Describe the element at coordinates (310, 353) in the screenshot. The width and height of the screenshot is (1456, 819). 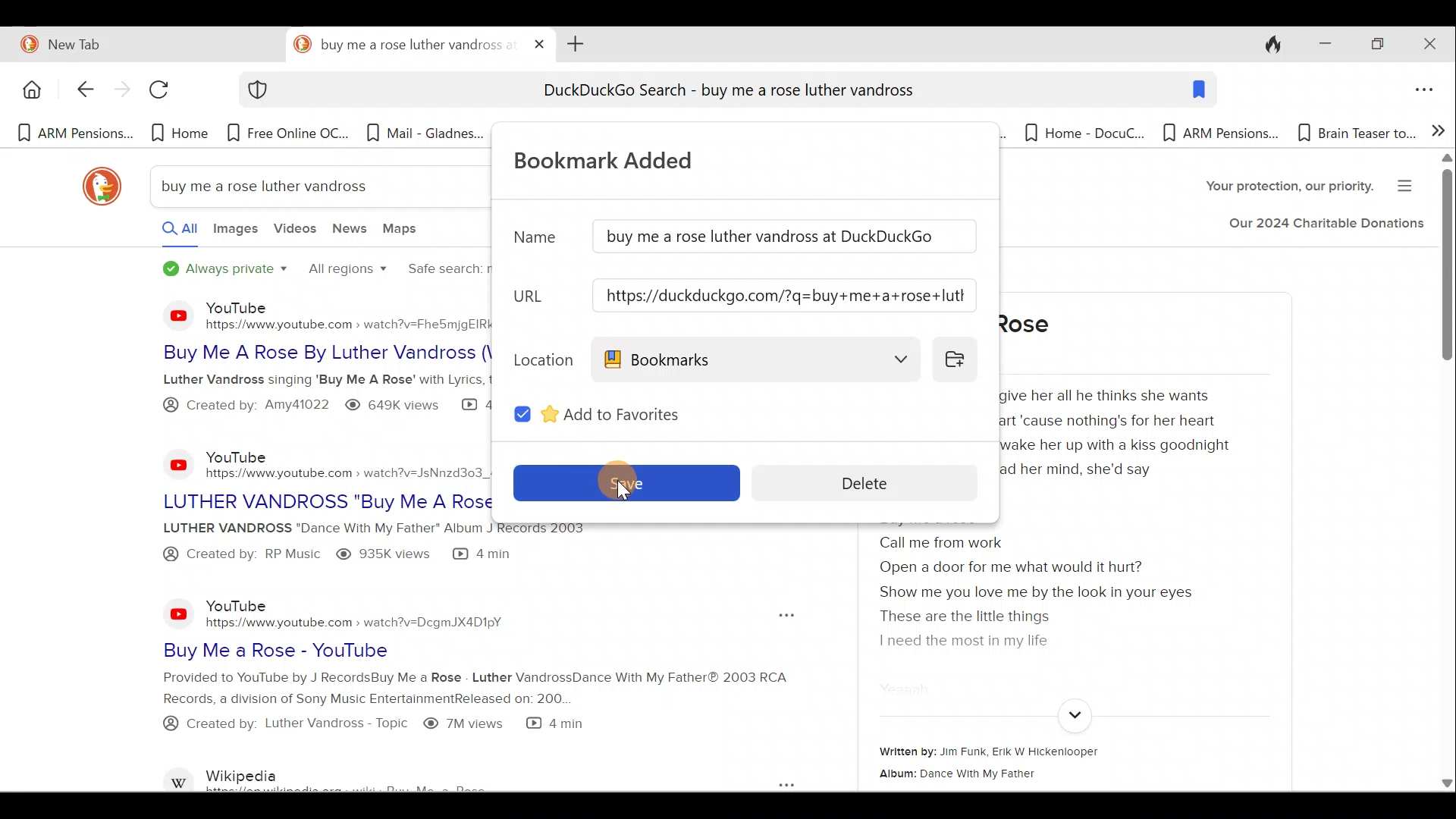
I see `Buy Me A Rose By Luther Vandross (With Lyrics) - YouTube` at that location.